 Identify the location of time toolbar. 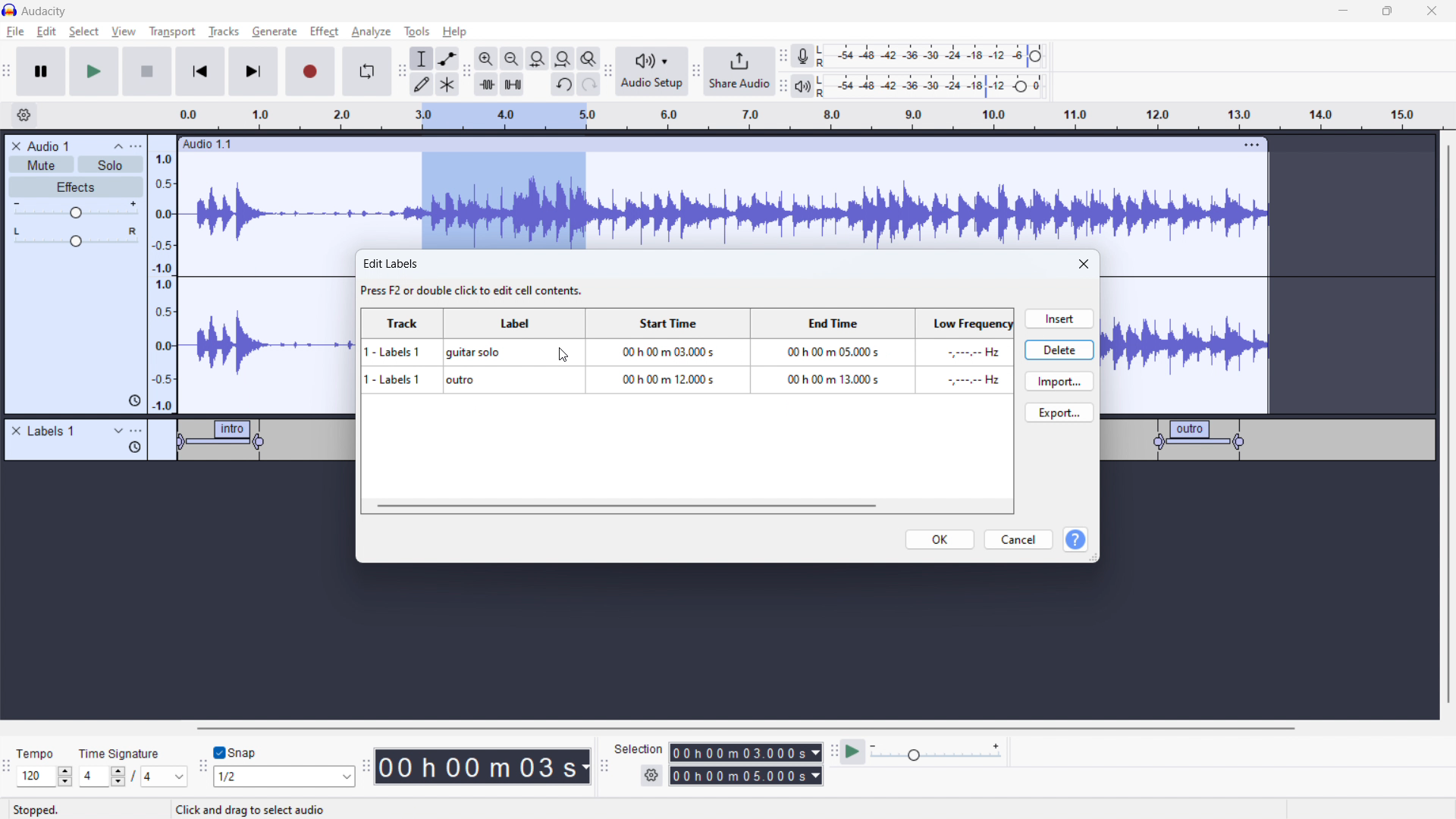
(366, 768).